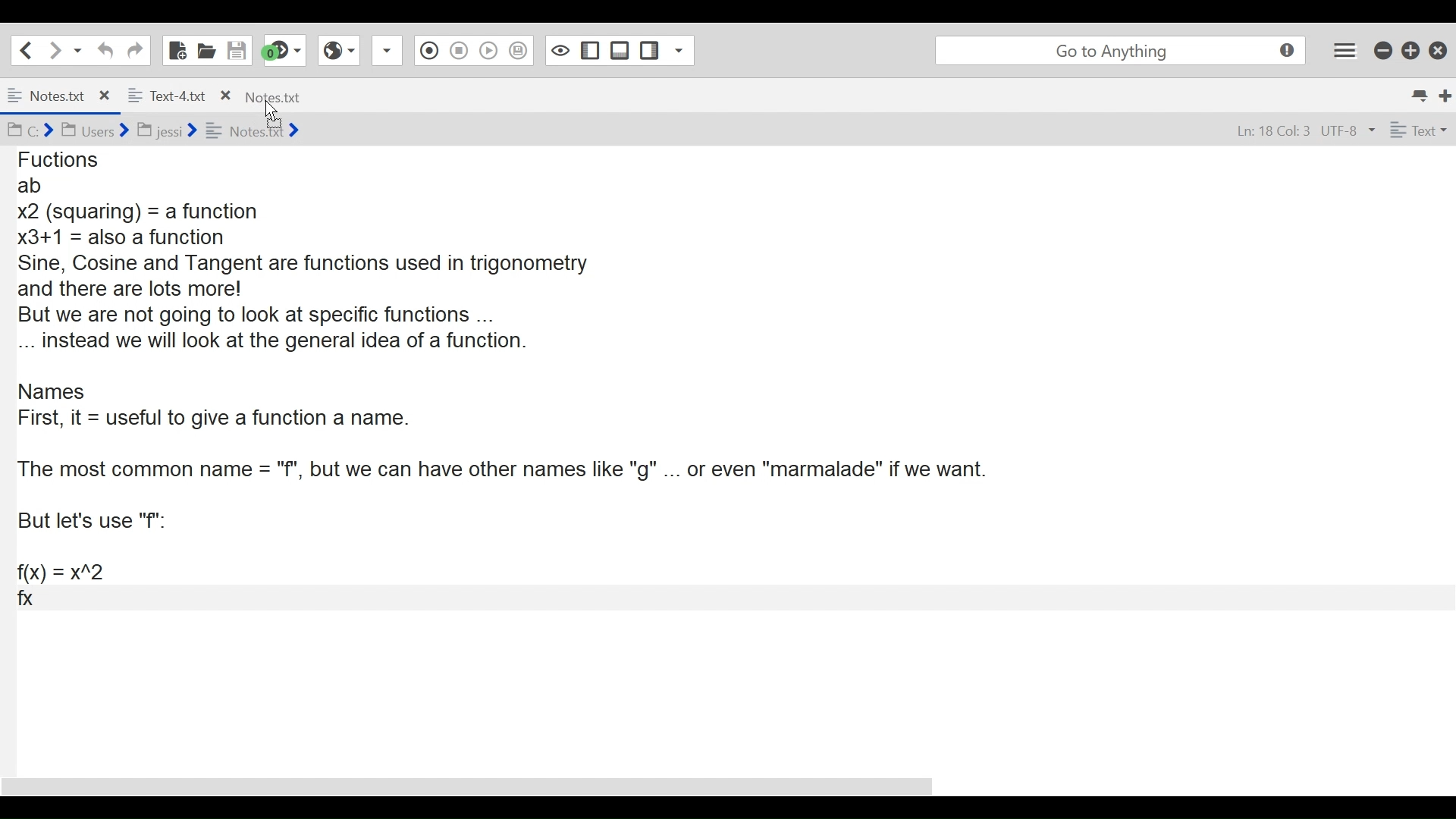 Image resolution: width=1456 pixels, height=819 pixels. Describe the element at coordinates (207, 50) in the screenshot. I see `Open` at that location.